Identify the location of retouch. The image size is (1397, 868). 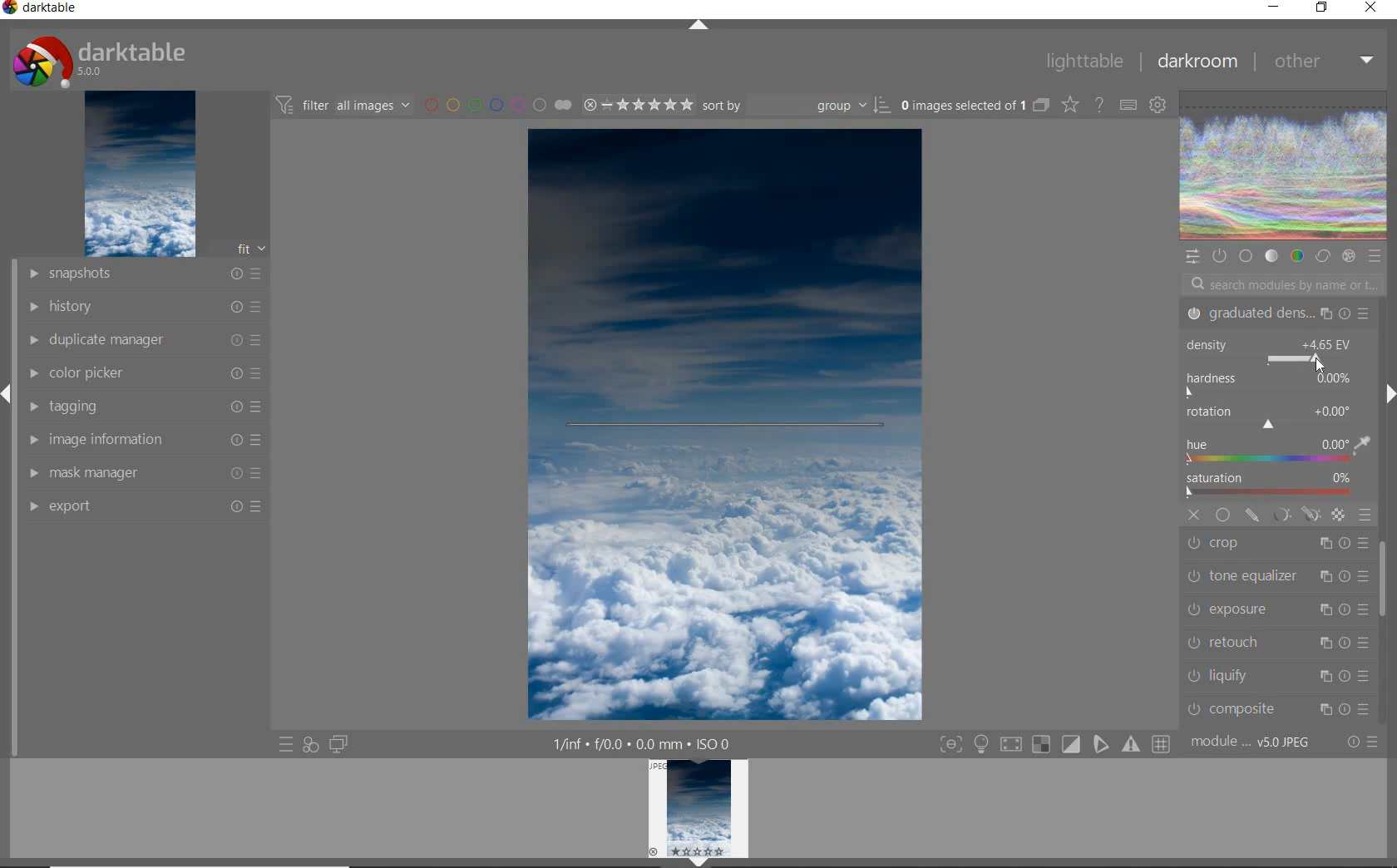
(1276, 642).